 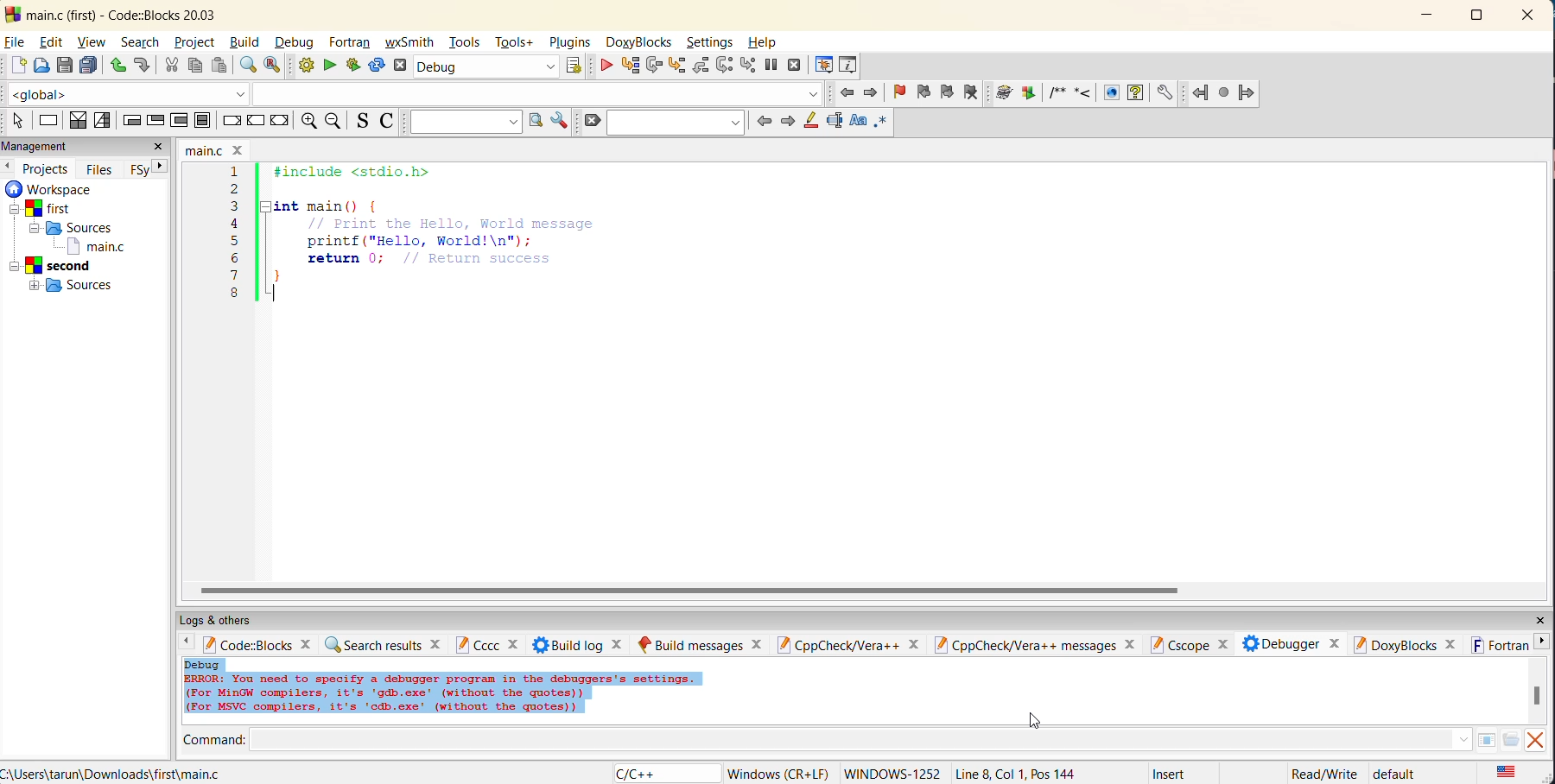 What do you see at coordinates (642, 42) in the screenshot?
I see `doxyblocks` at bounding box center [642, 42].